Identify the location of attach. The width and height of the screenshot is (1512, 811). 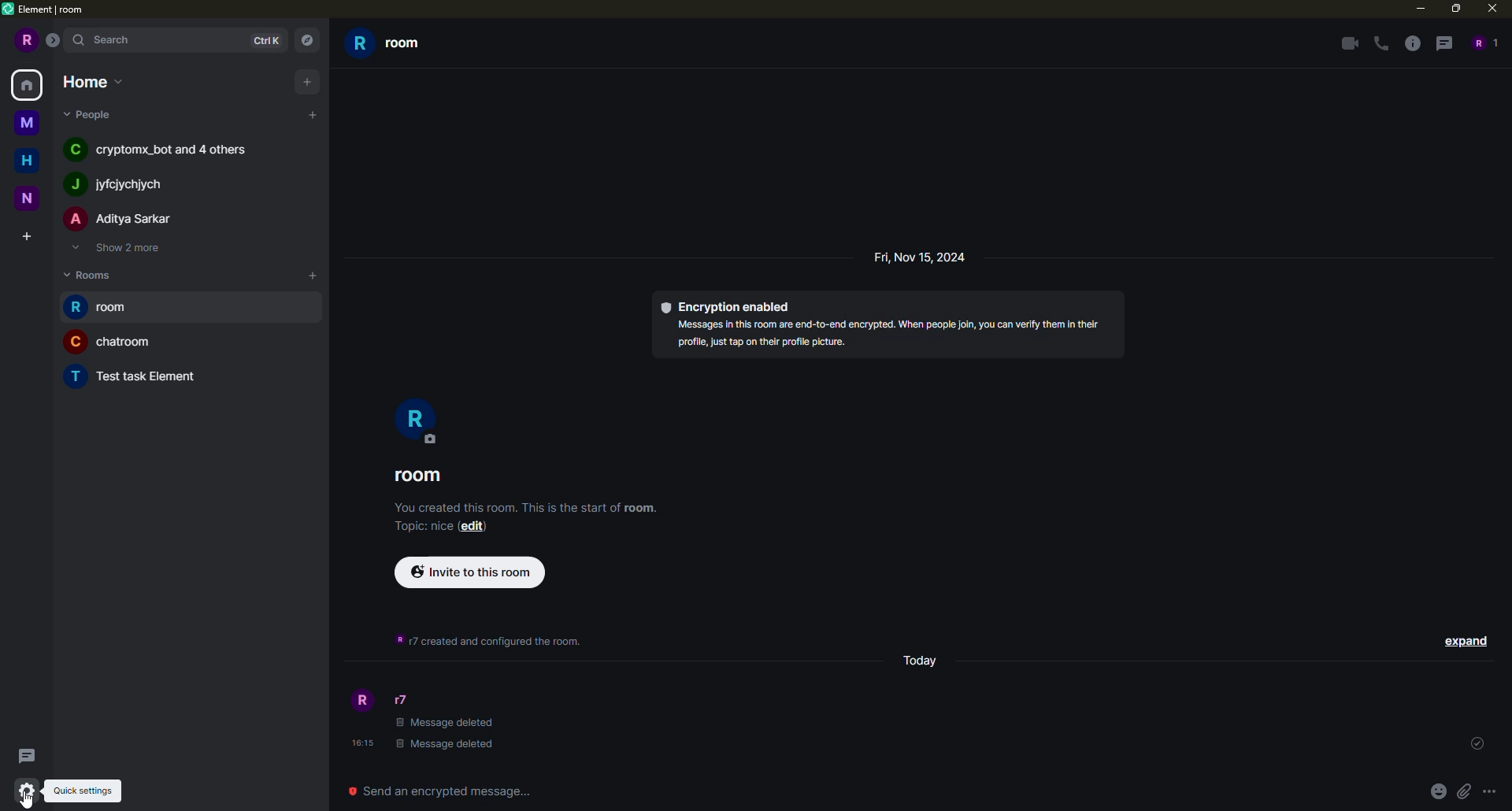
(1463, 791).